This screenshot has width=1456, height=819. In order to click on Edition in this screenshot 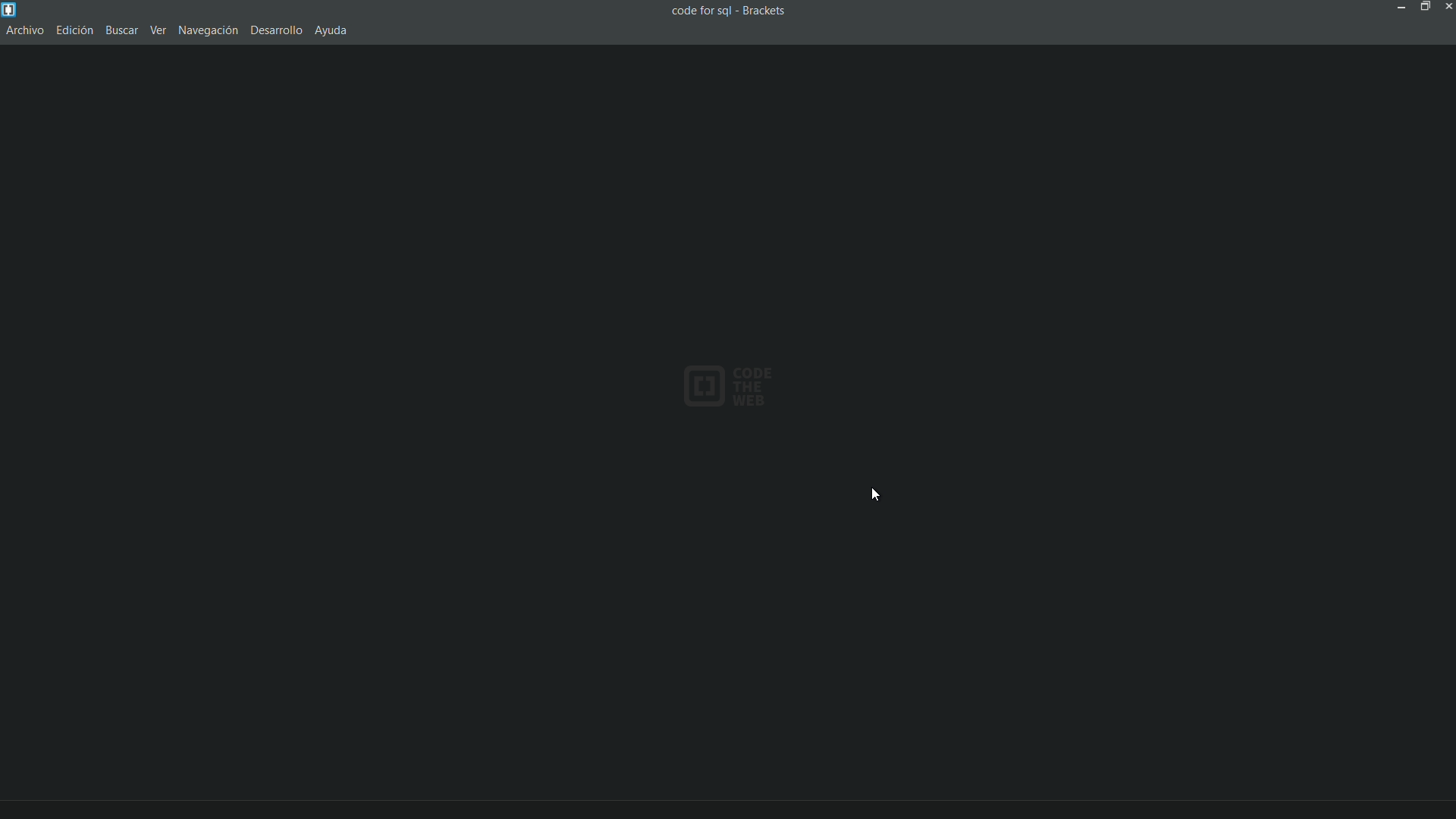, I will do `click(76, 30)`.